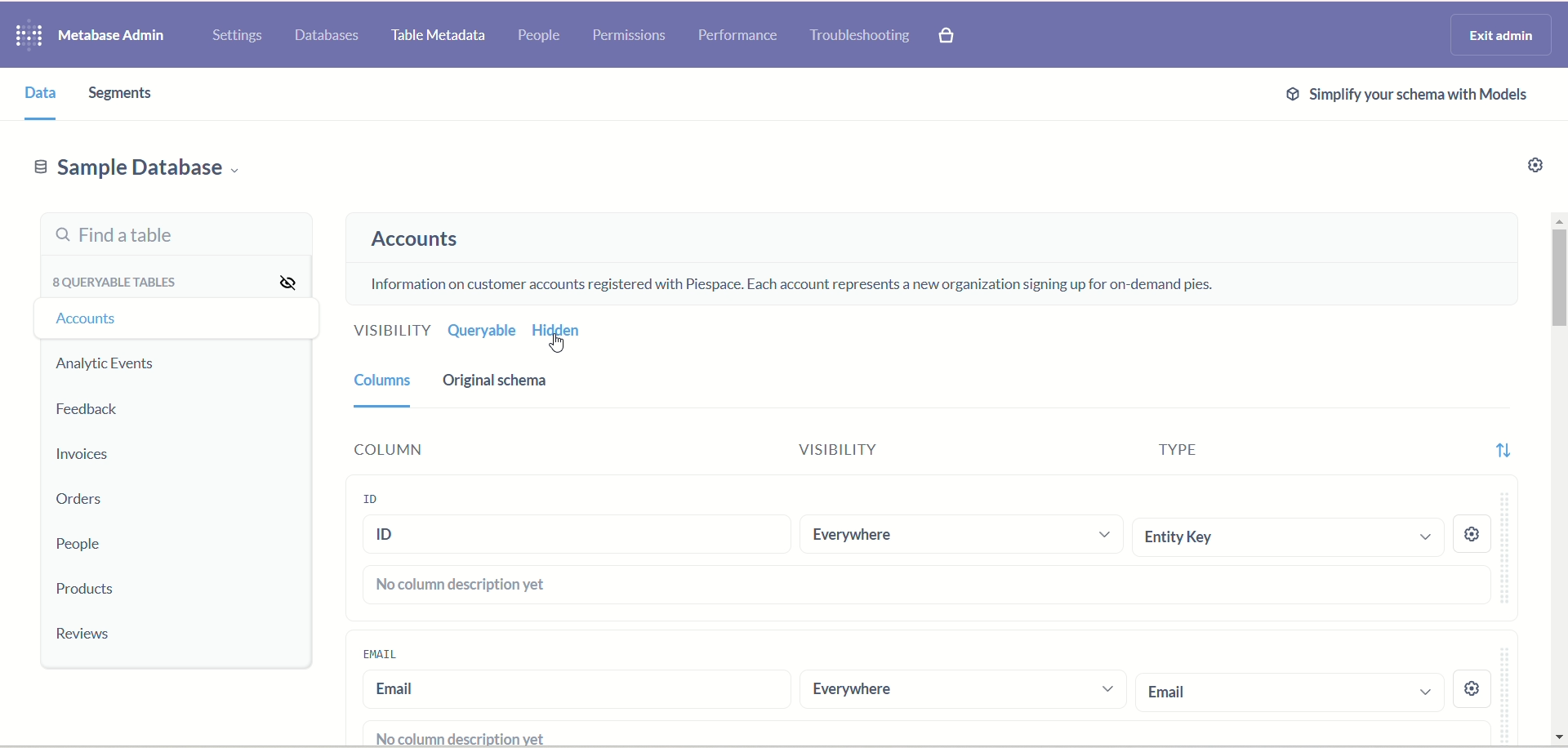  I want to click on visibility, so click(390, 330).